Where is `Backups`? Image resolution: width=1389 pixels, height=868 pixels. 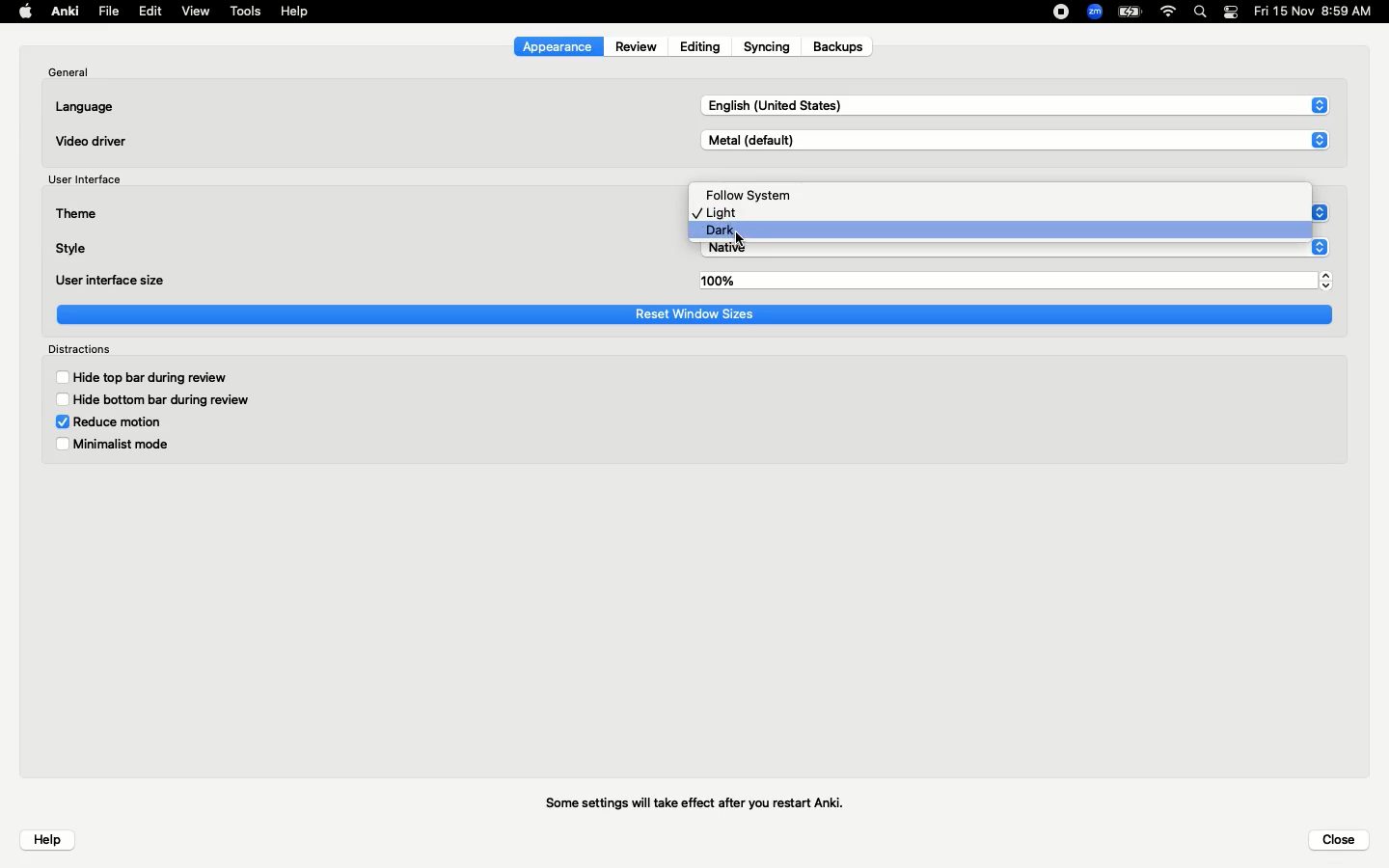
Backups is located at coordinates (836, 46).